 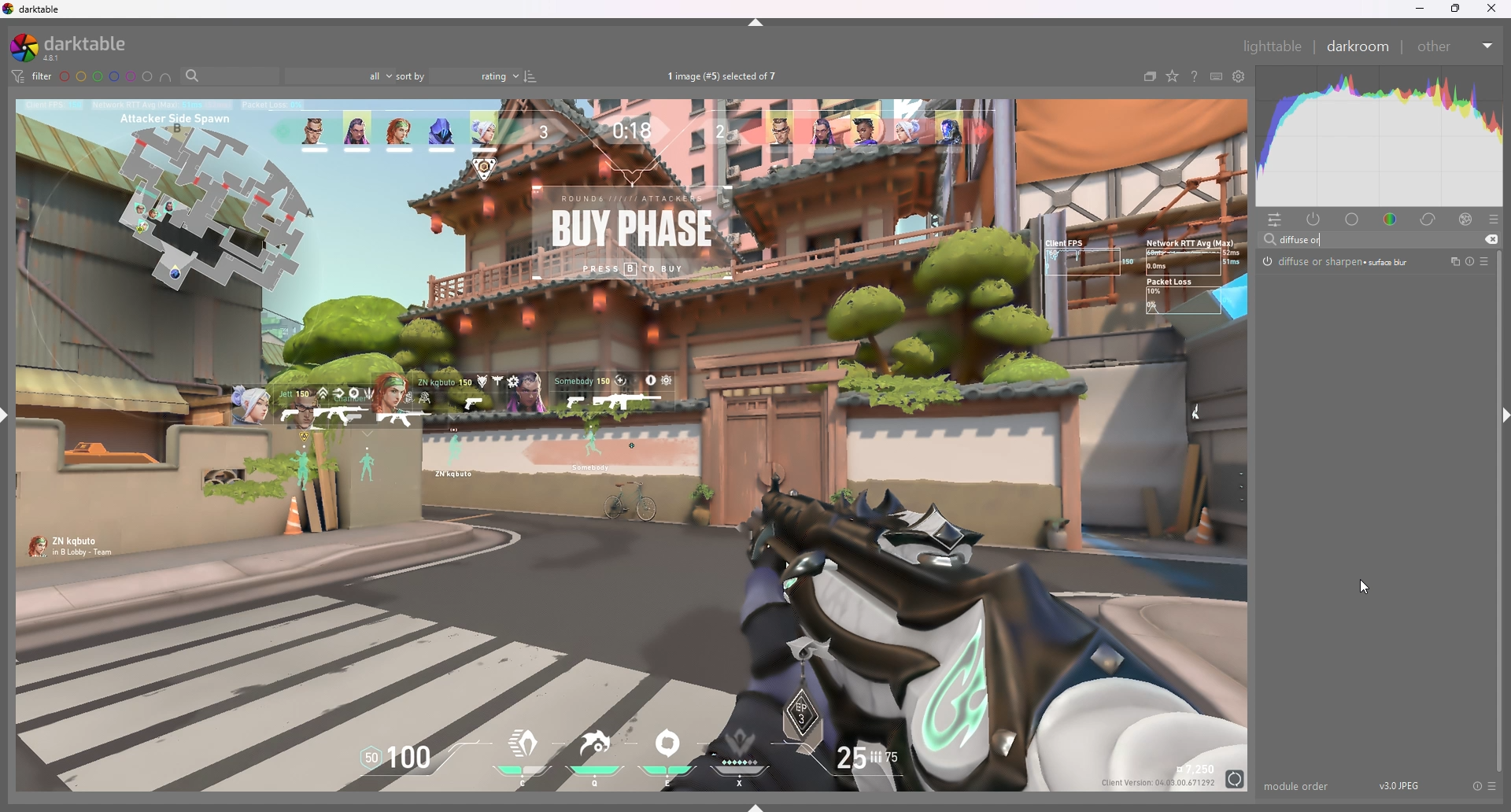 What do you see at coordinates (629, 446) in the screenshot?
I see `photo` at bounding box center [629, 446].